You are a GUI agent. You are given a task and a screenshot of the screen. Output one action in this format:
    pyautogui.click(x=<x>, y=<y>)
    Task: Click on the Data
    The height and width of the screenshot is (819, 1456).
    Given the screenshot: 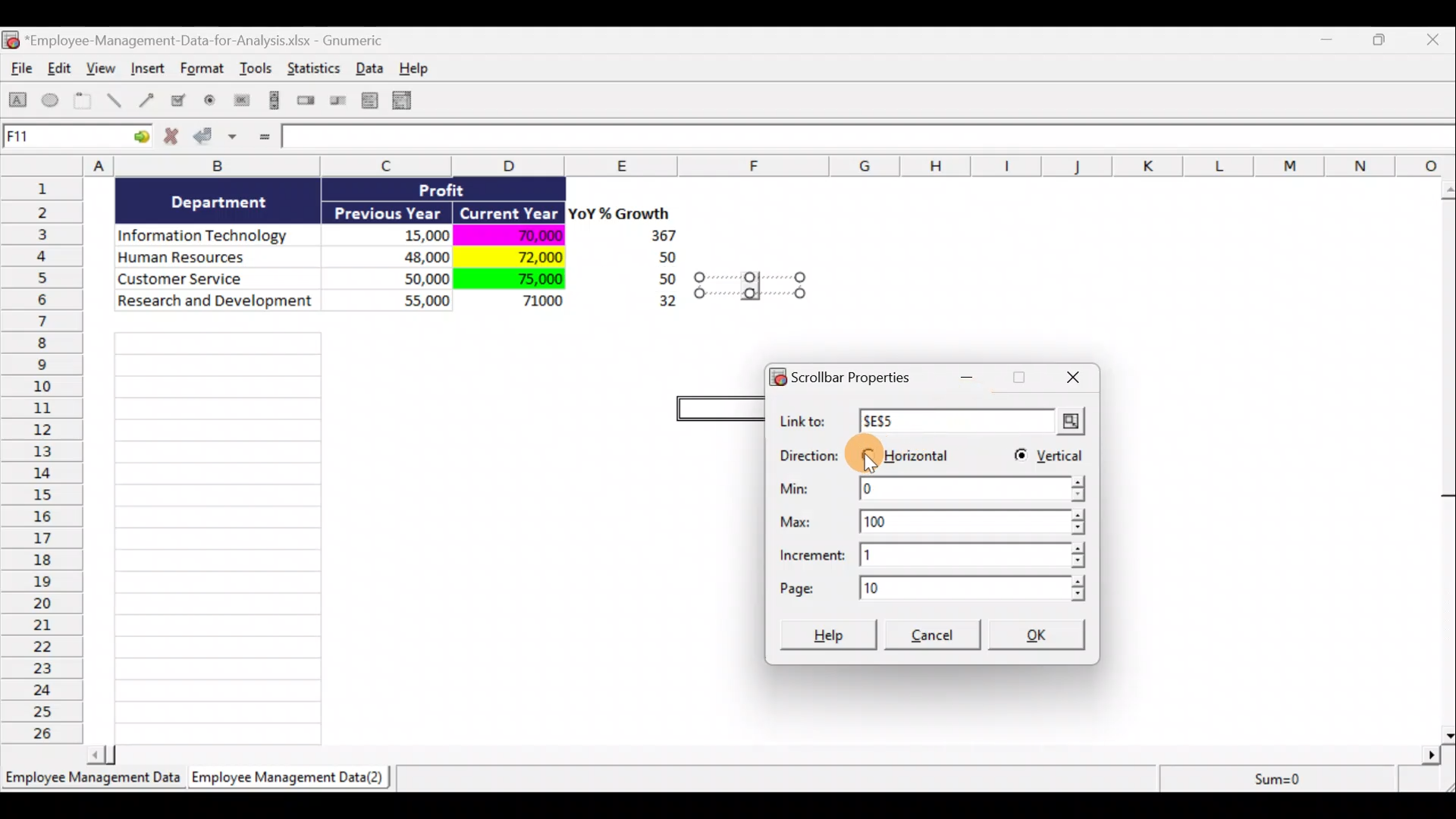 What is the action you would take?
    pyautogui.click(x=374, y=67)
    